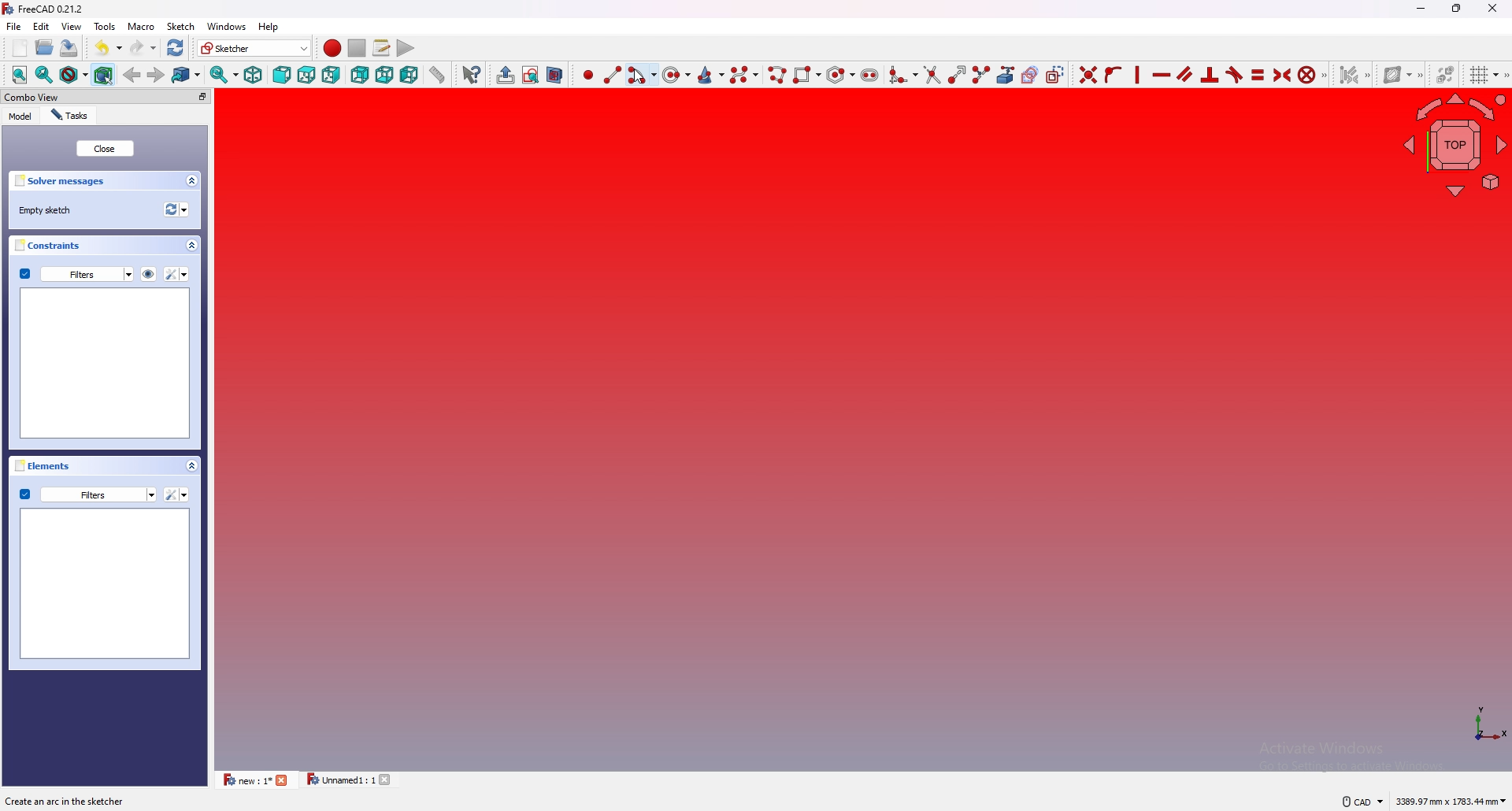 Image resolution: width=1512 pixels, height=811 pixels. I want to click on open, so click(45, 47).